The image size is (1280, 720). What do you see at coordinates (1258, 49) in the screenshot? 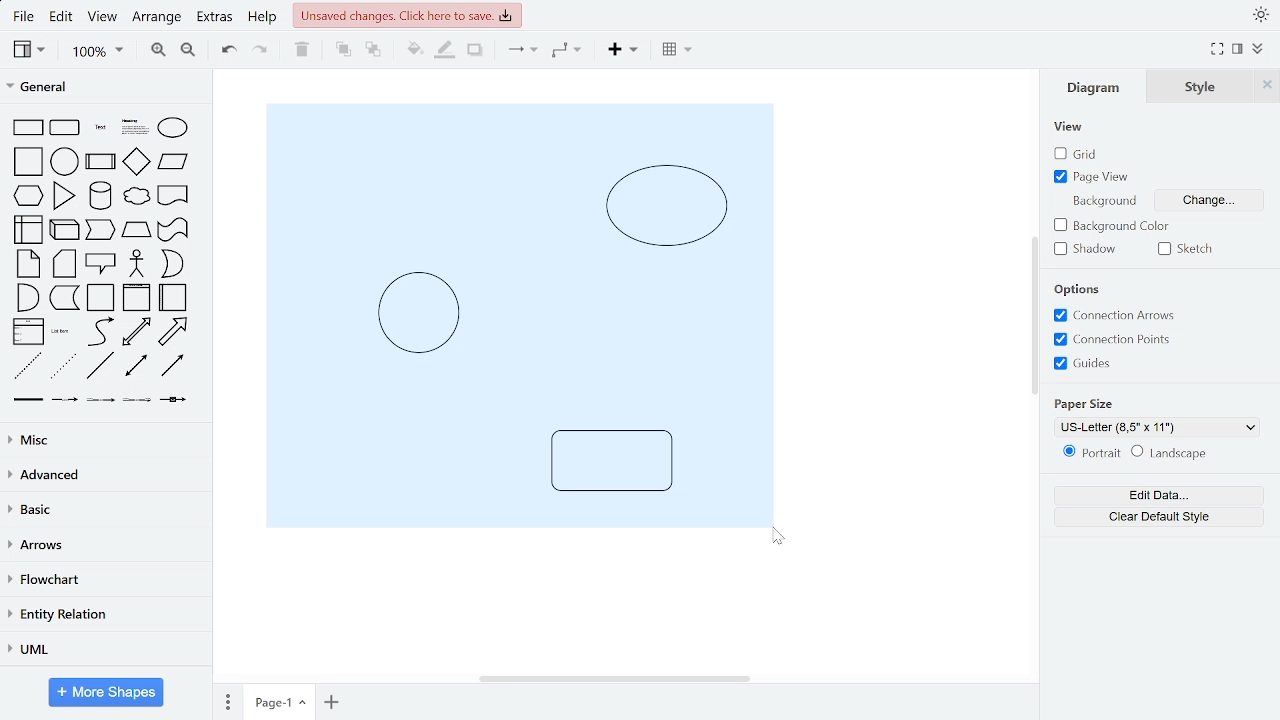
I see `collapse` at bounding box center [1258, 49].